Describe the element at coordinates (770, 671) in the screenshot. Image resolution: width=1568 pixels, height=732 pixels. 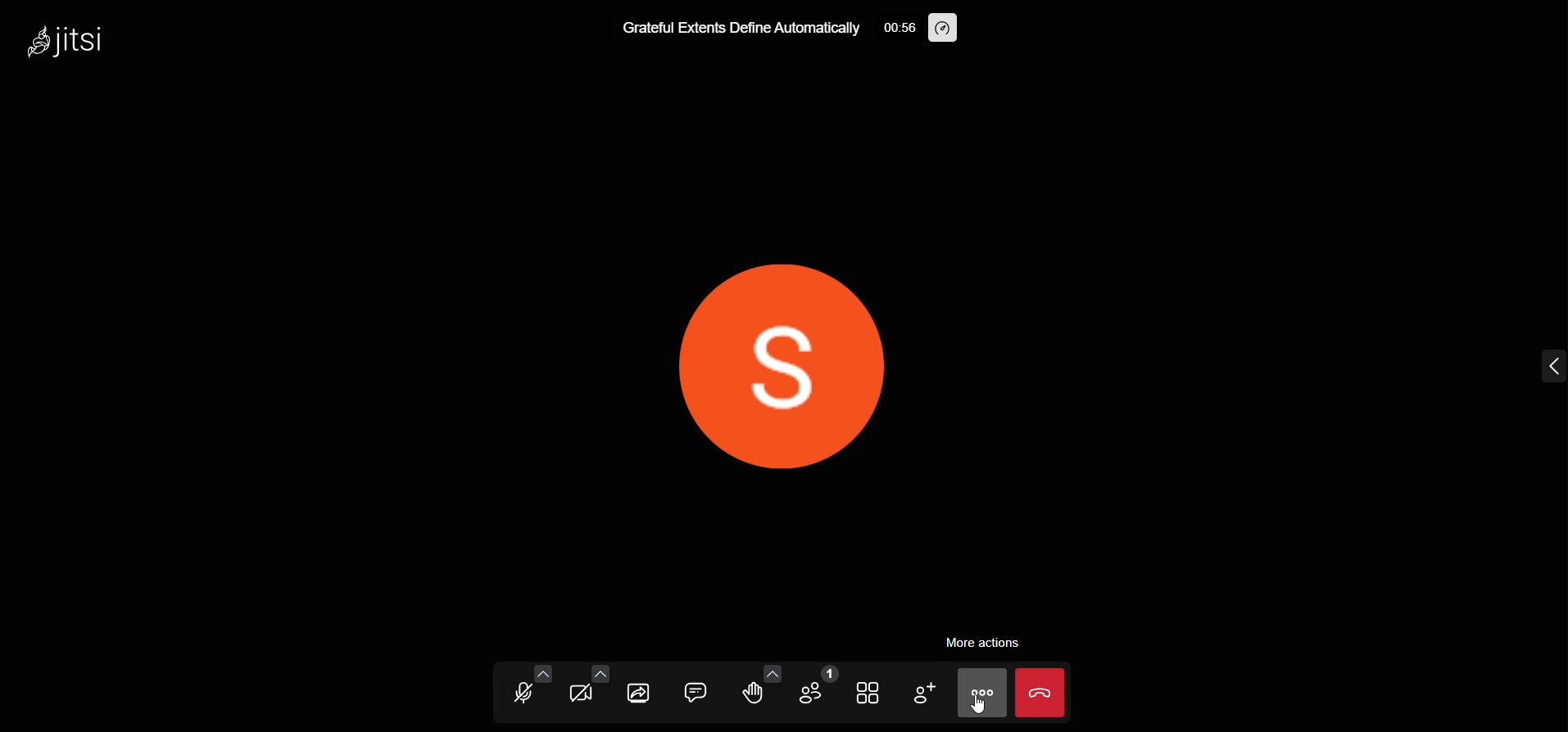
I see `more emoji` at that location.